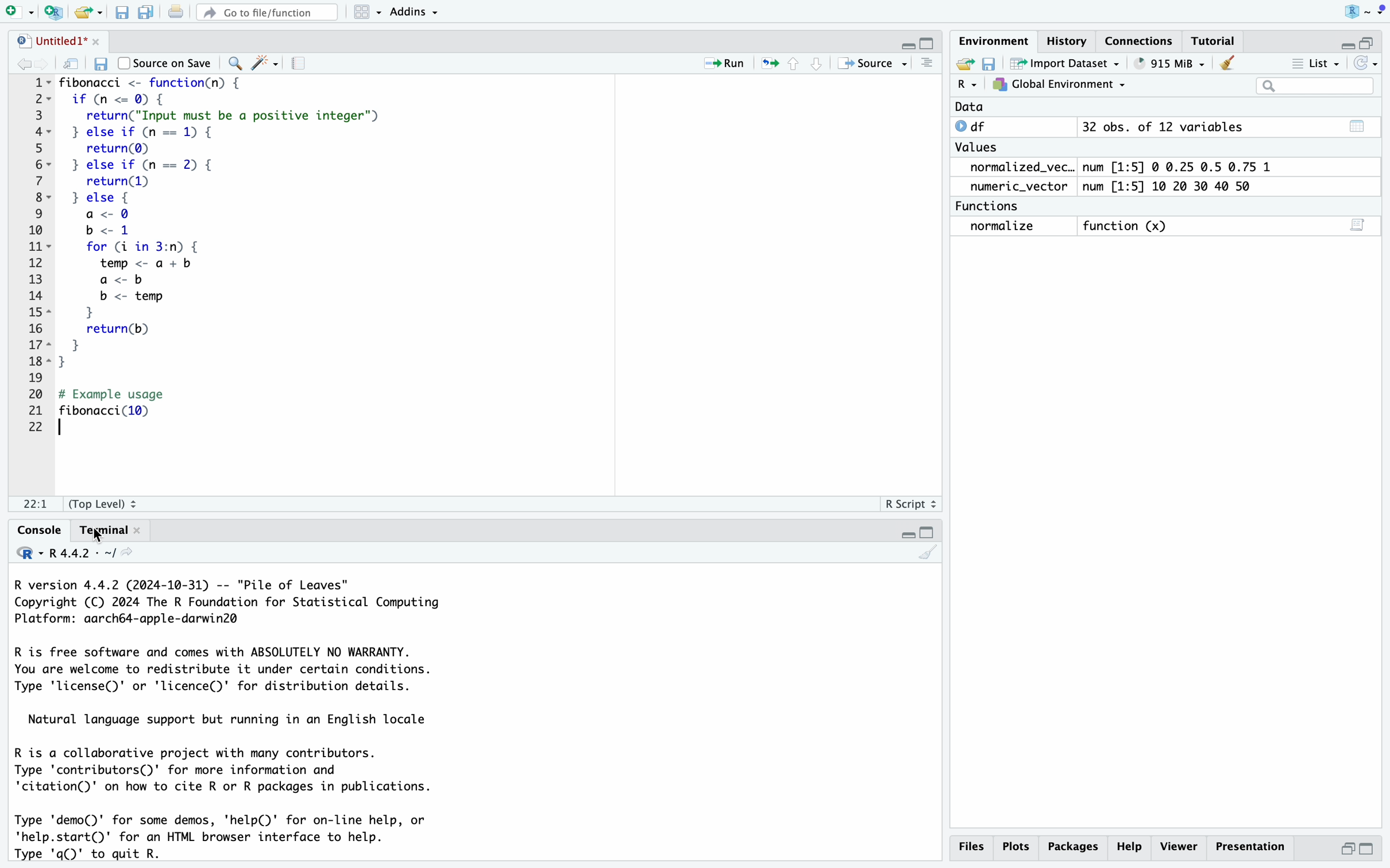 This screenshot has height=868, width=1390. Describe the element at coordinates (1173, 63) in the screenshot. I see `264 MiB` at that location.